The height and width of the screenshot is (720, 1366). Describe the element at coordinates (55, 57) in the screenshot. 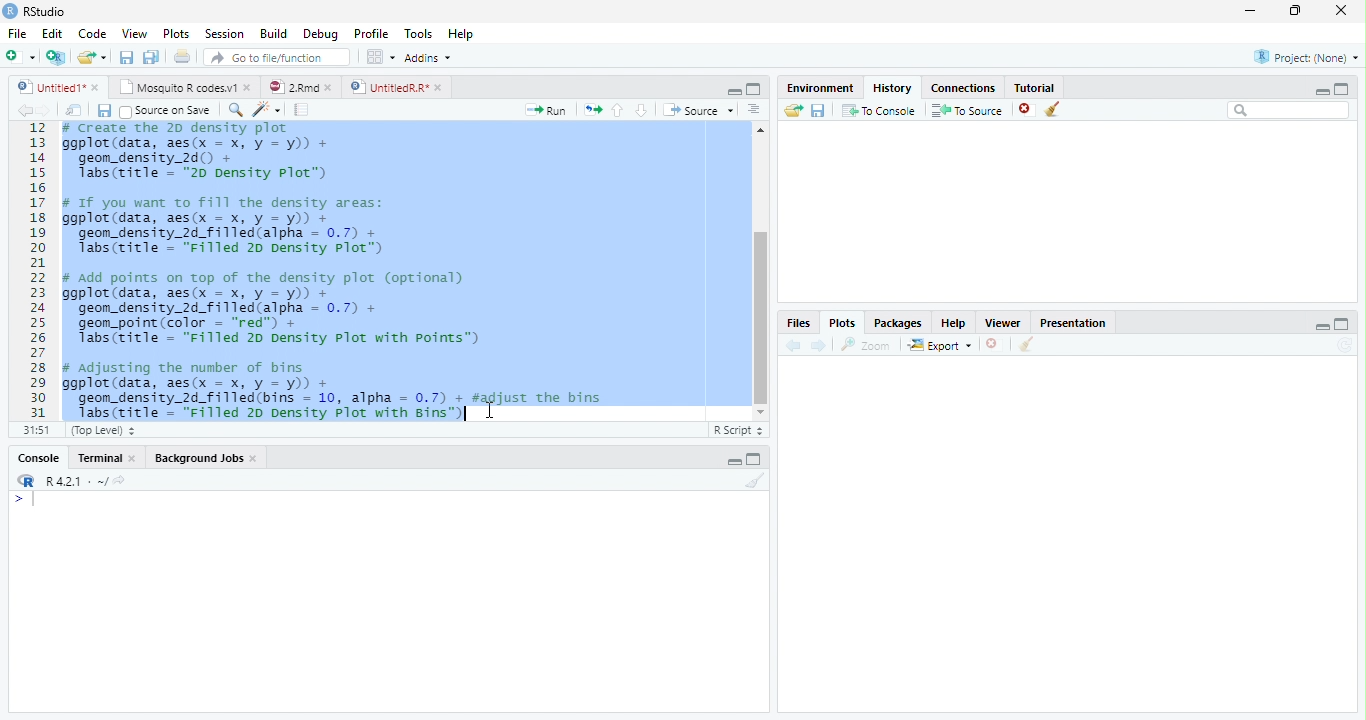

I see `Create a project` at that location.